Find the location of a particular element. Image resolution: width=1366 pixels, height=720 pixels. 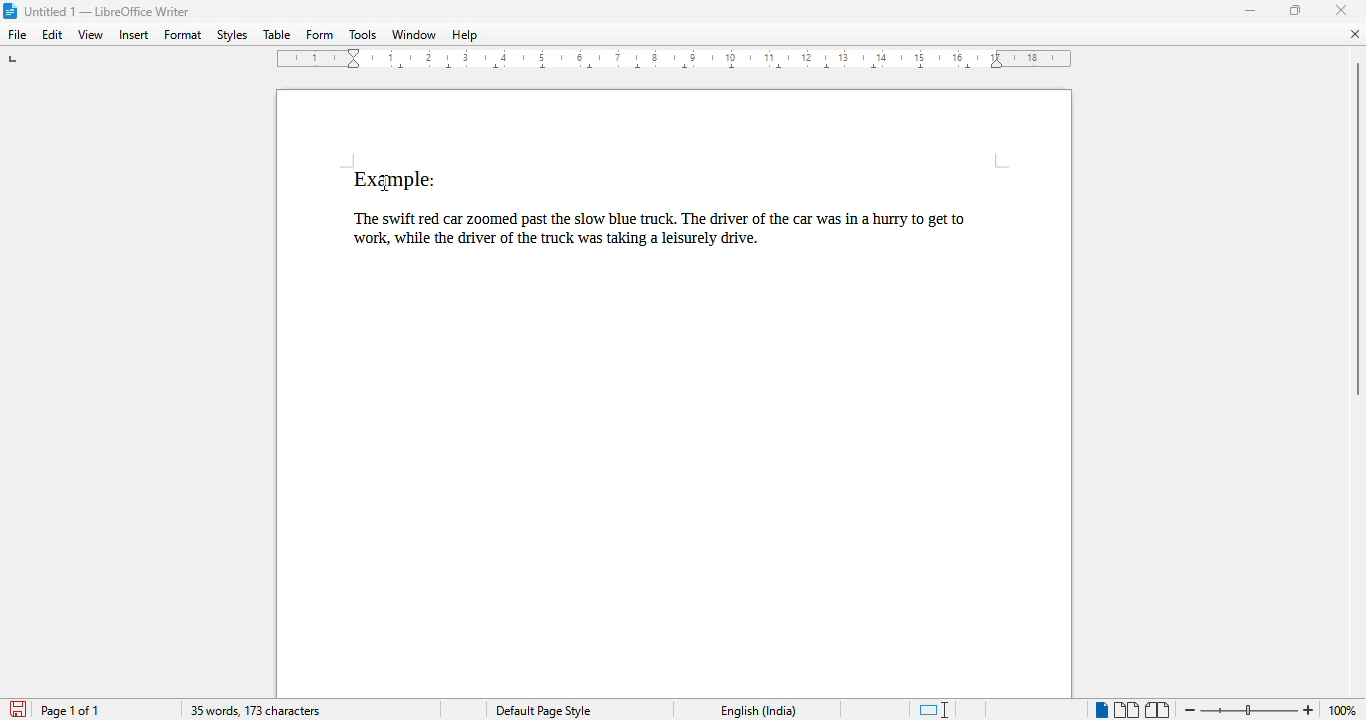

format is located at coordinates (184, 34).